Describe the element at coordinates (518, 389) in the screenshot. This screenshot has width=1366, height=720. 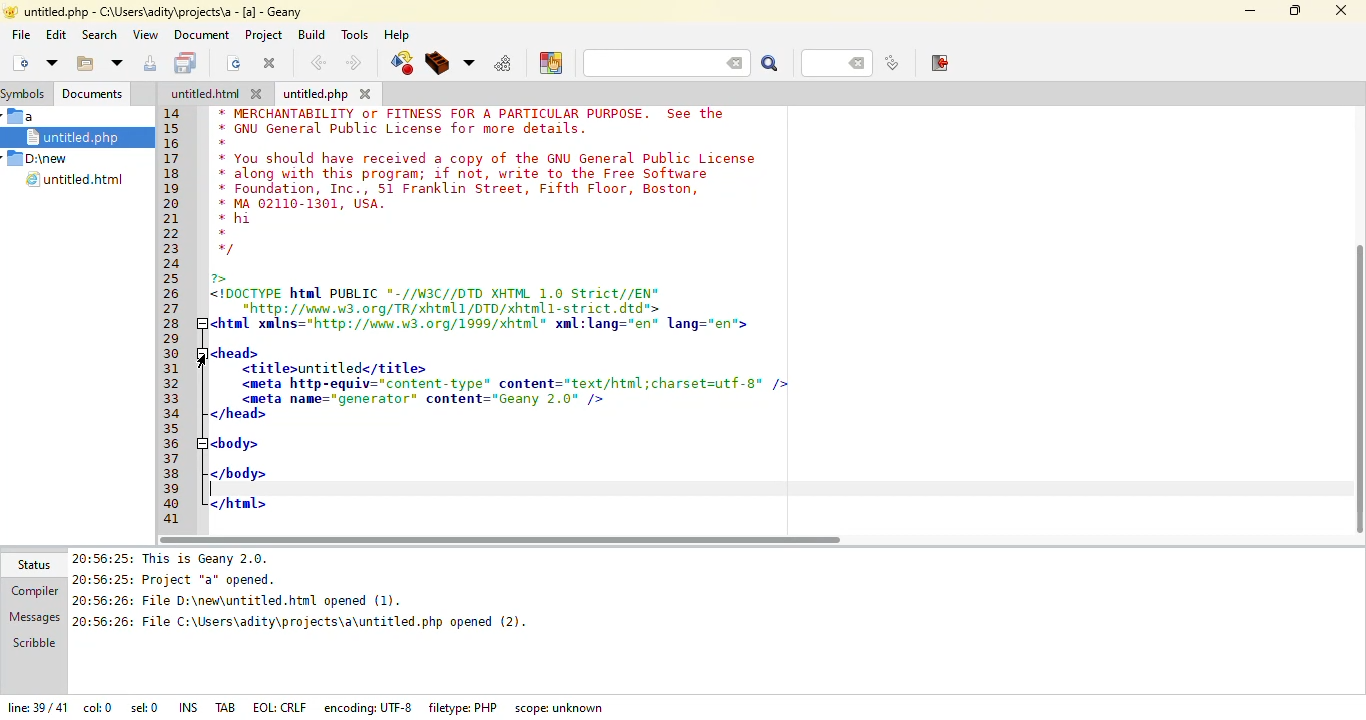
I see `?><IDOCTYPE html PUBLIC "-//W3C//DTD XHTML 1.0 Strict//EN"http:/ vn. w3org/TR/xhtal1/DTD/ahtali-strict dtd"<html xmlns="http://wai.w3.0rg/1999/xhtnl" xal:lang="en" lang="en"><head><titlesuntitlede/title><meta http-equiv="content-type" content="text/html;charset=utf-8* /><meta name="generator content="Geany 2.0" /></head><body></html>` at that location.